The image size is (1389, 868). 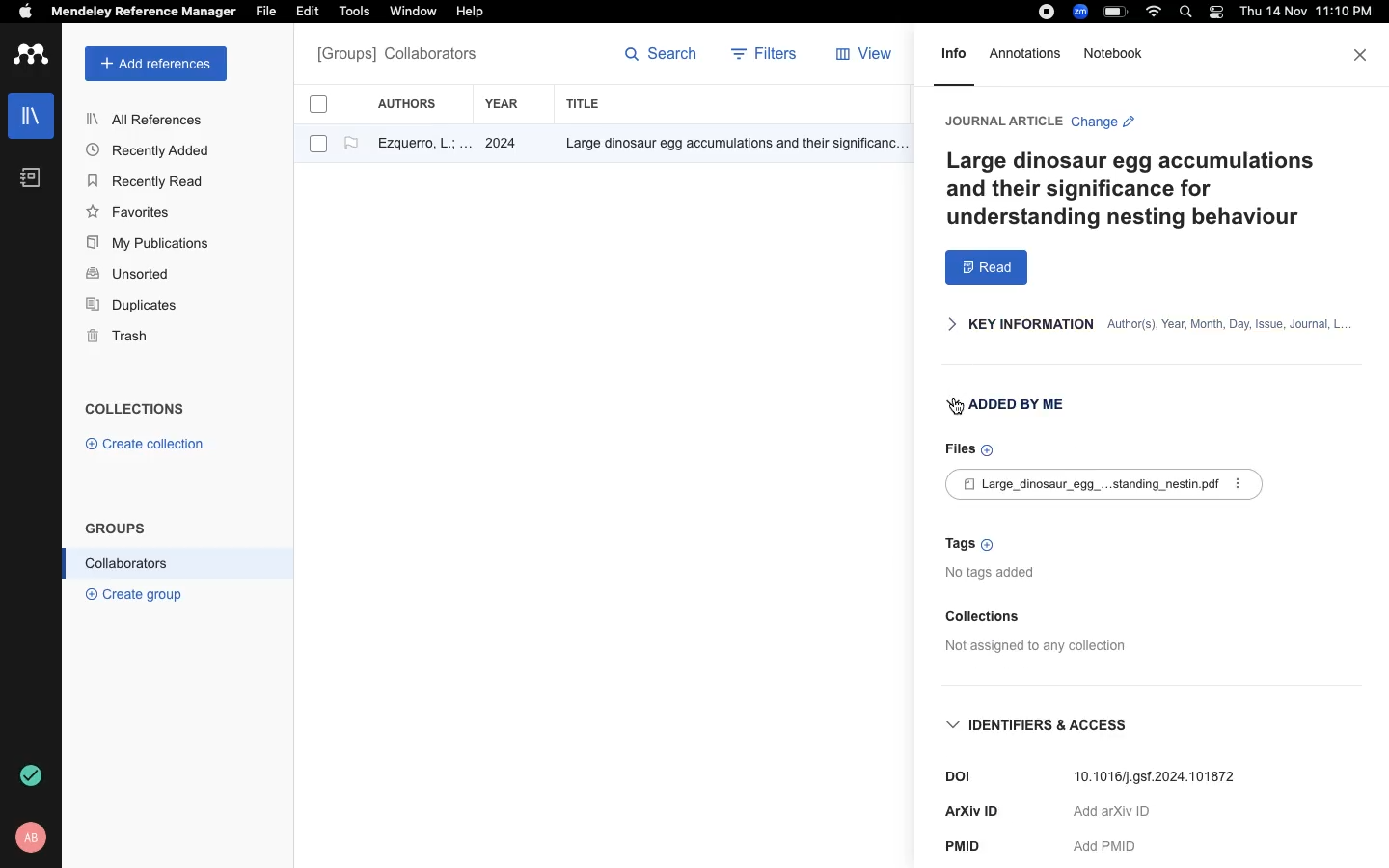 What do you see at coordinates (416, 146) in the screenshot?
I see `author` at bounding box center [416, 146].